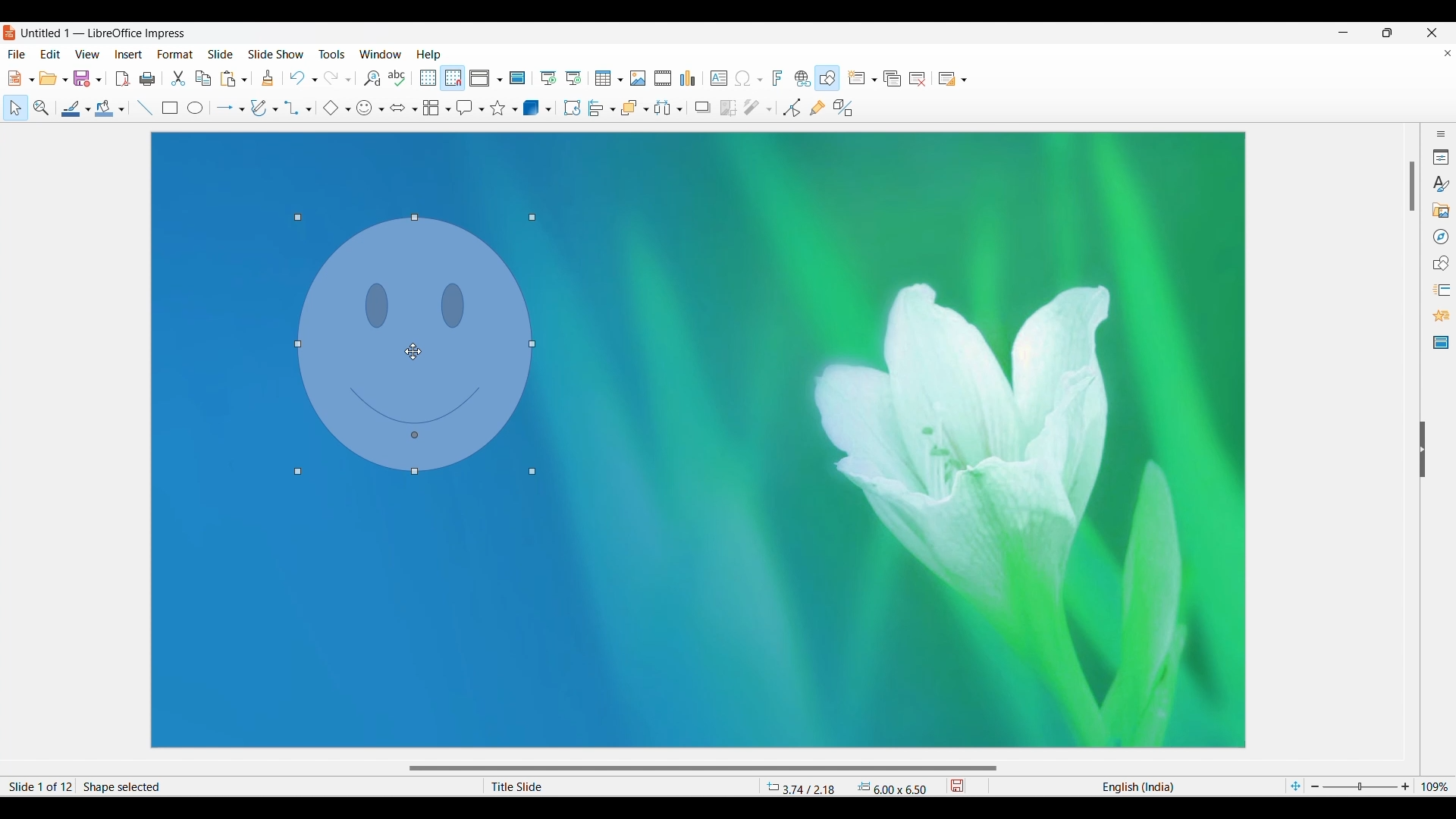  Describe the element at coordinates (1440, 184) in the screenshot. I see `Styles` at that location.